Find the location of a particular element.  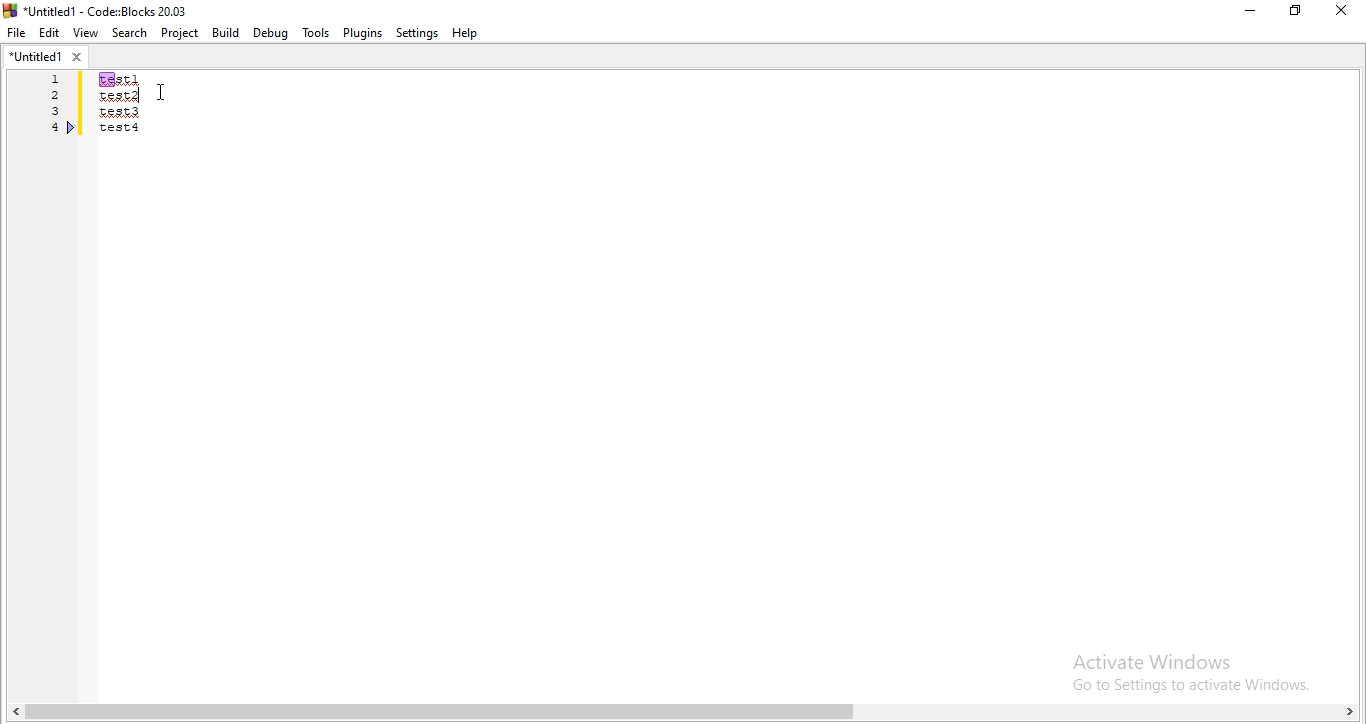

Project  is located at coordinates (181, 34).